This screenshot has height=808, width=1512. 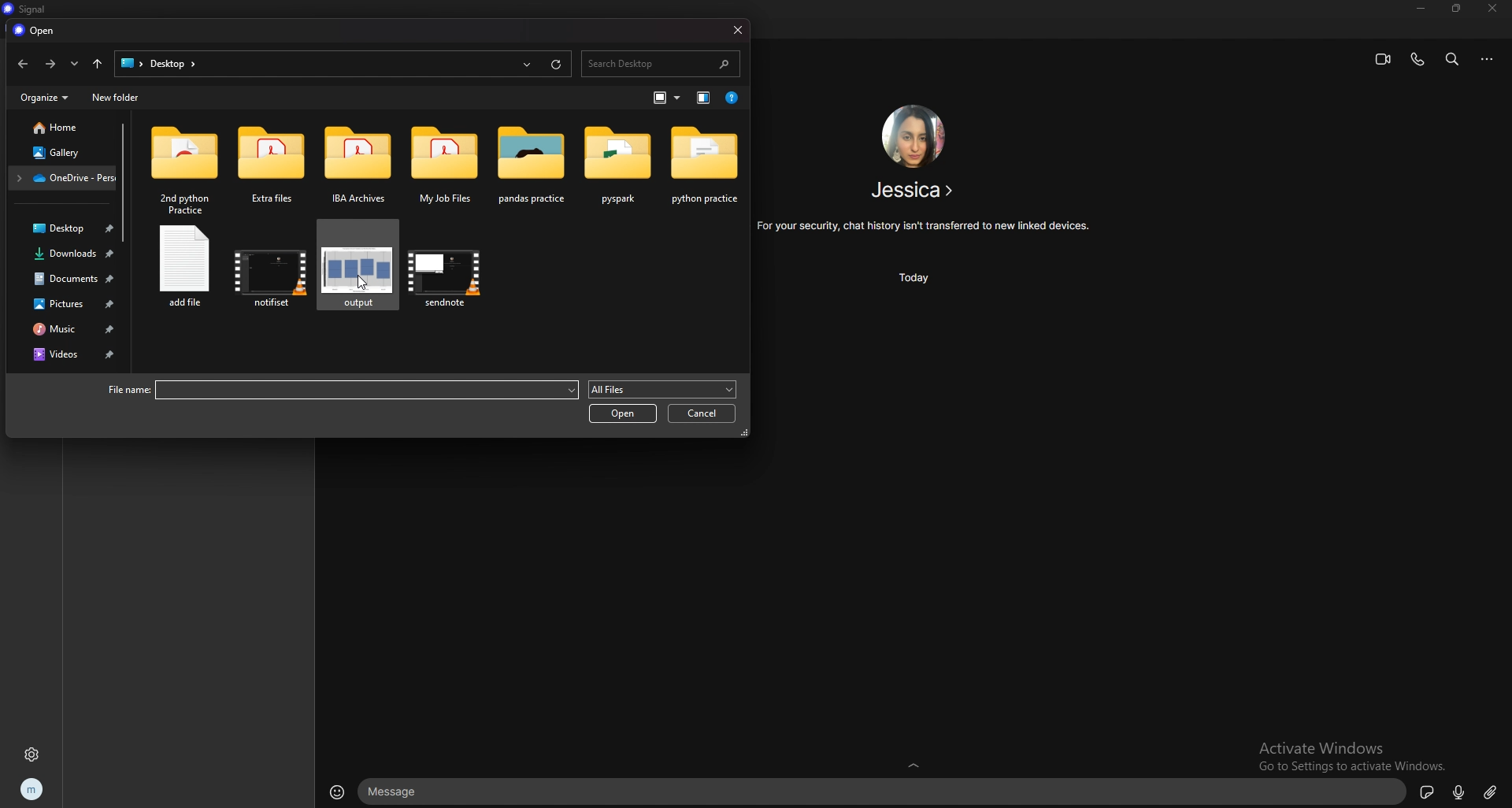 What do you see at coordinates (528, 65) in the screenshot?
I see `recents` at bounding box center [528, 65].